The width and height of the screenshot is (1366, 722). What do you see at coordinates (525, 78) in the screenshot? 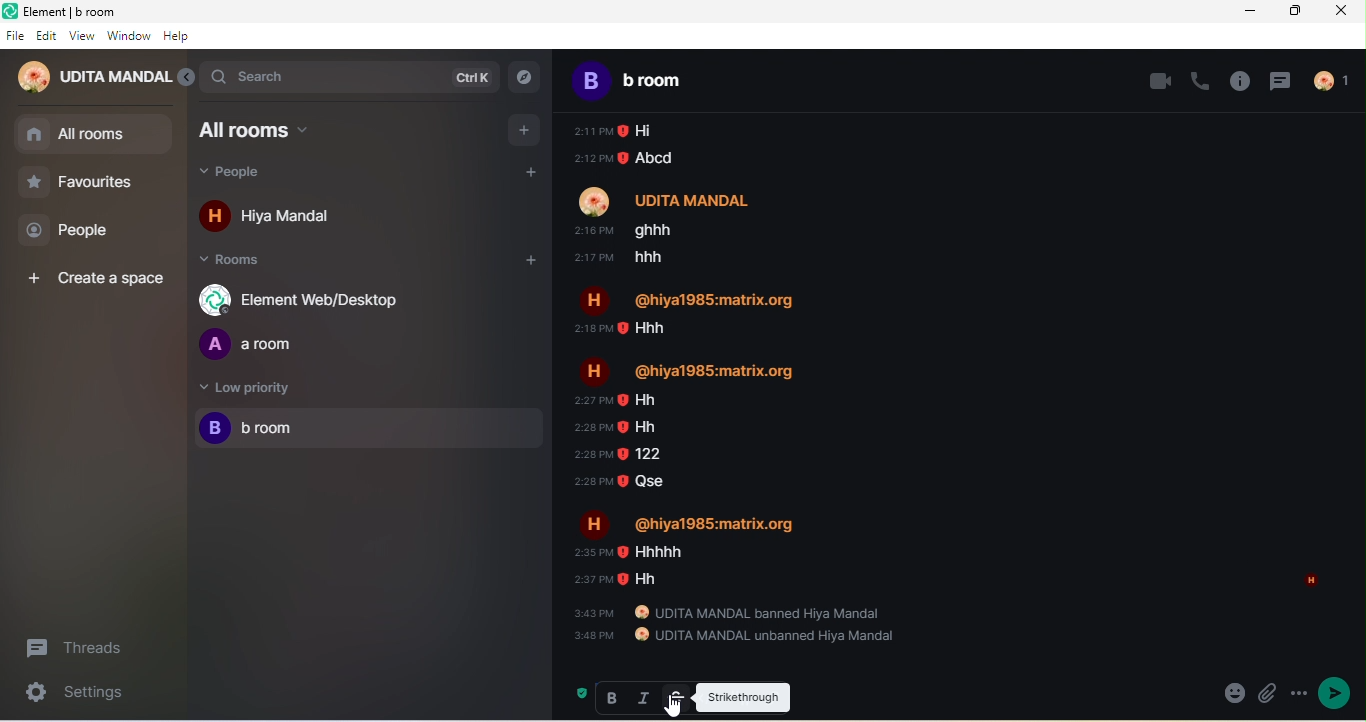
I see `explore` at bounding box center [525, 78].